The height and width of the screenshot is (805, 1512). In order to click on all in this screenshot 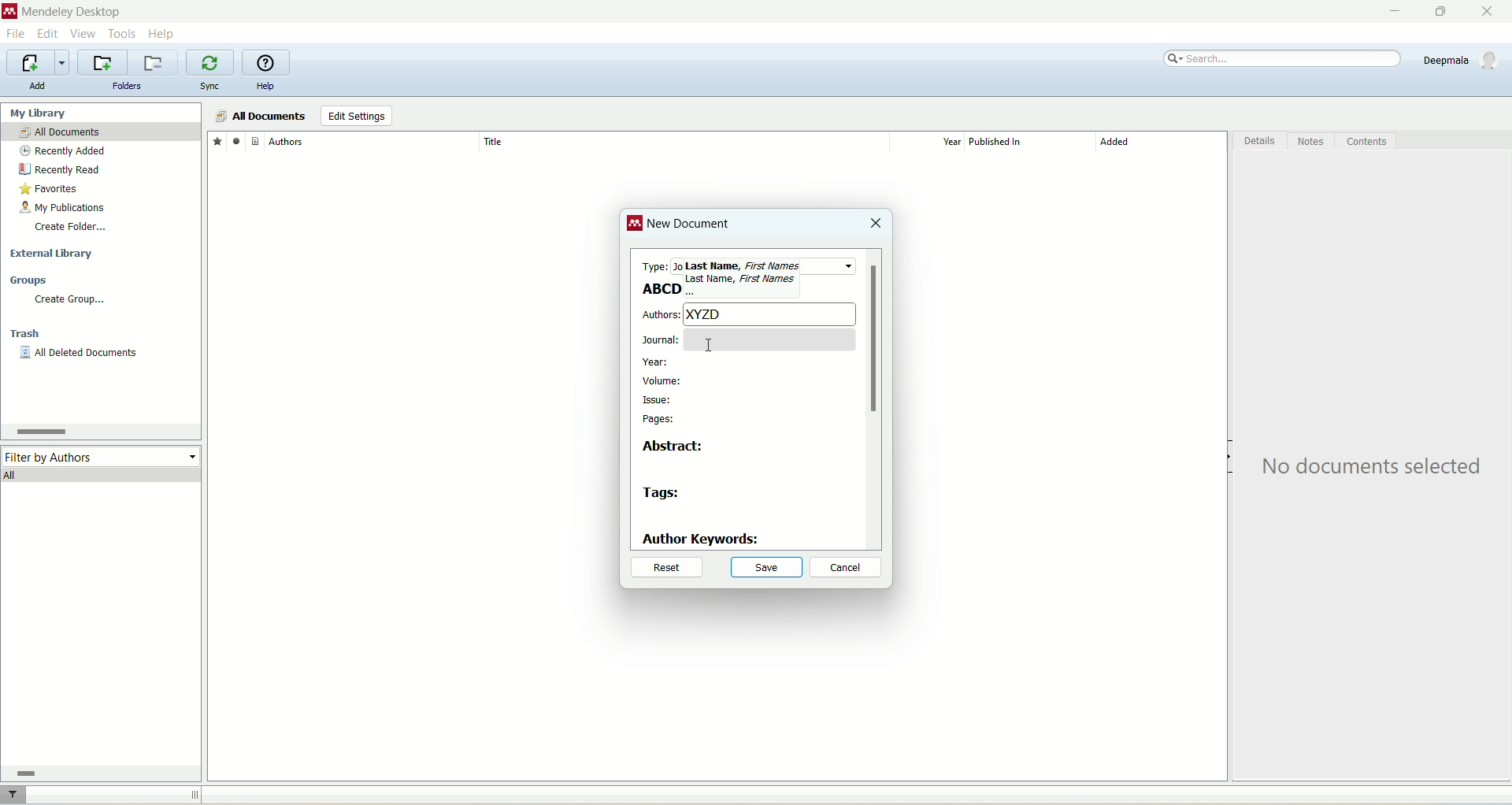, I will do `click(102, 474)`.